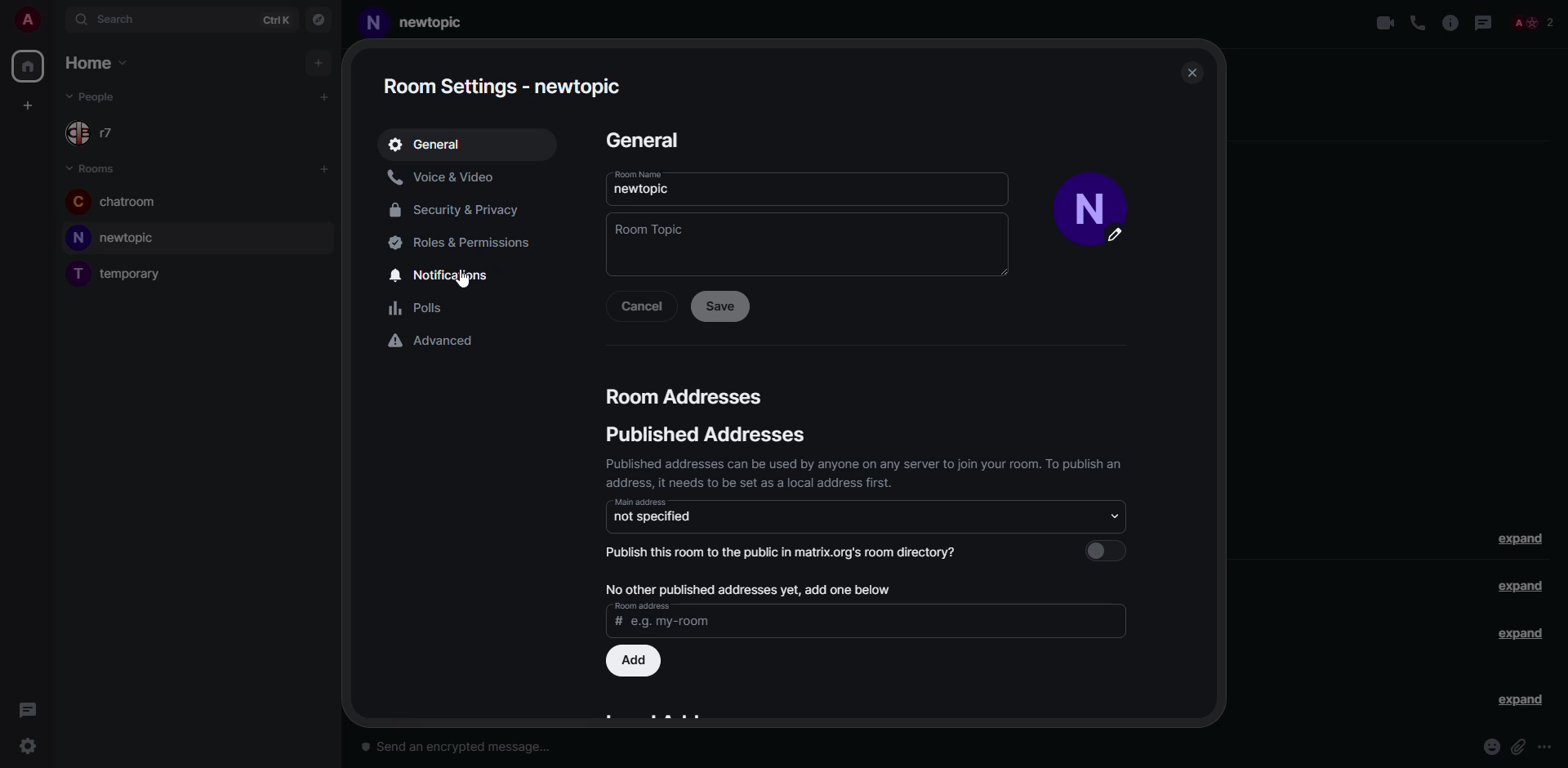  What do you see at coordinates (417, 25) in the screenshot?
I see `Newtopic` at bounding box center [417, 25].